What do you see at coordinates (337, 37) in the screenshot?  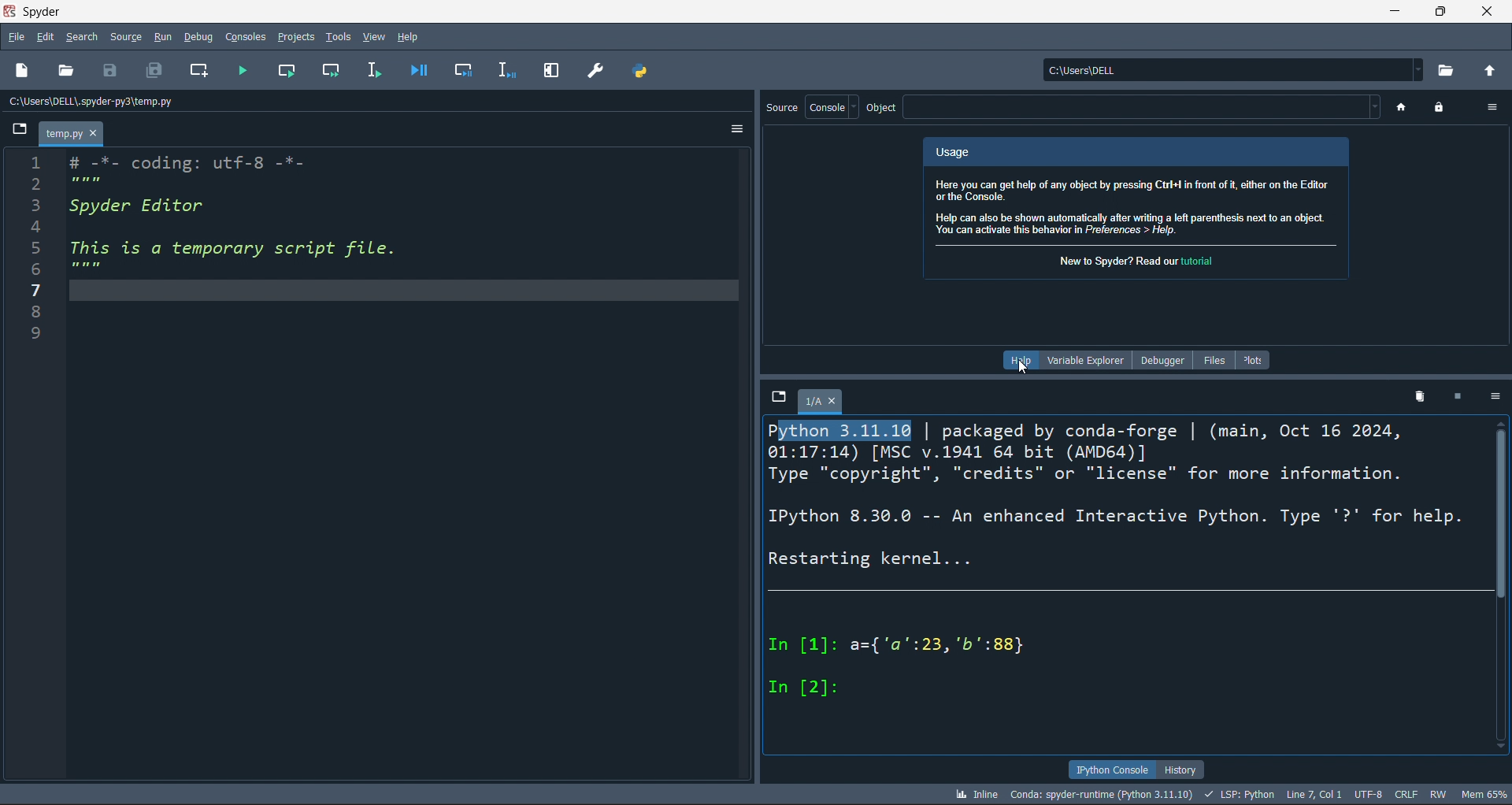 I see `tools` at bounding box center [337, 37].